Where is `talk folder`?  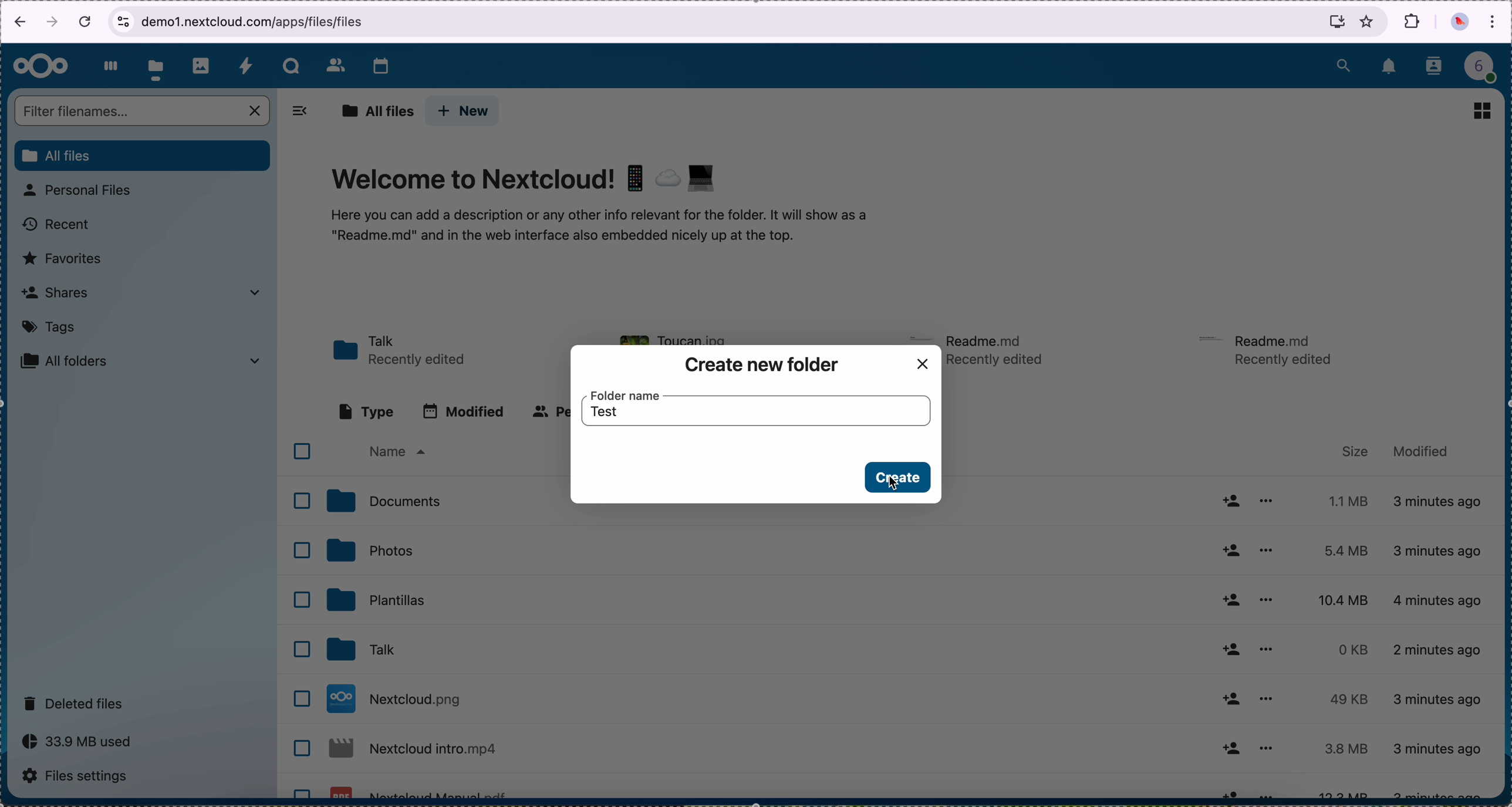 talk folder is located at coordinates (401, 352).